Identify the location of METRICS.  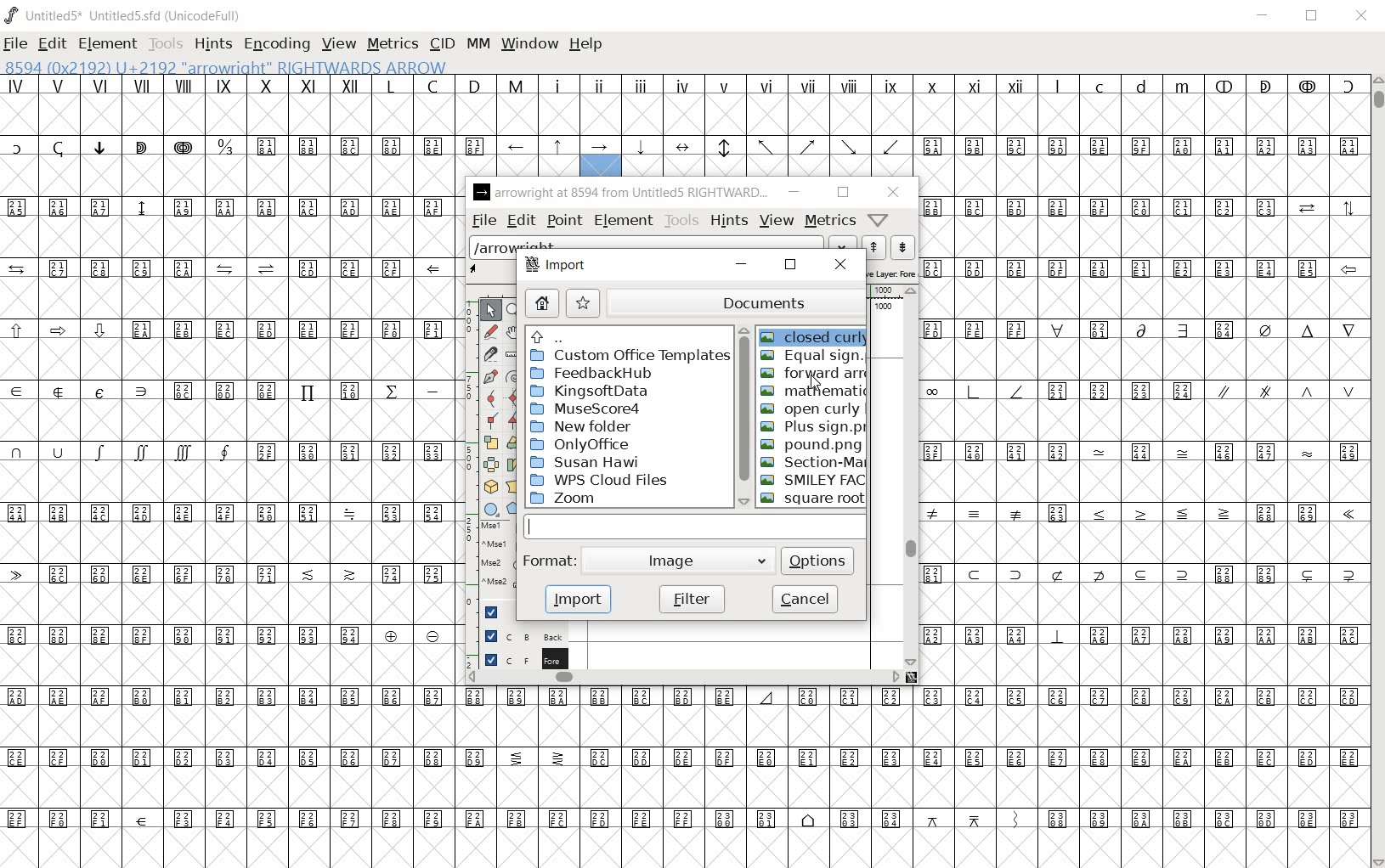
(392, 43).